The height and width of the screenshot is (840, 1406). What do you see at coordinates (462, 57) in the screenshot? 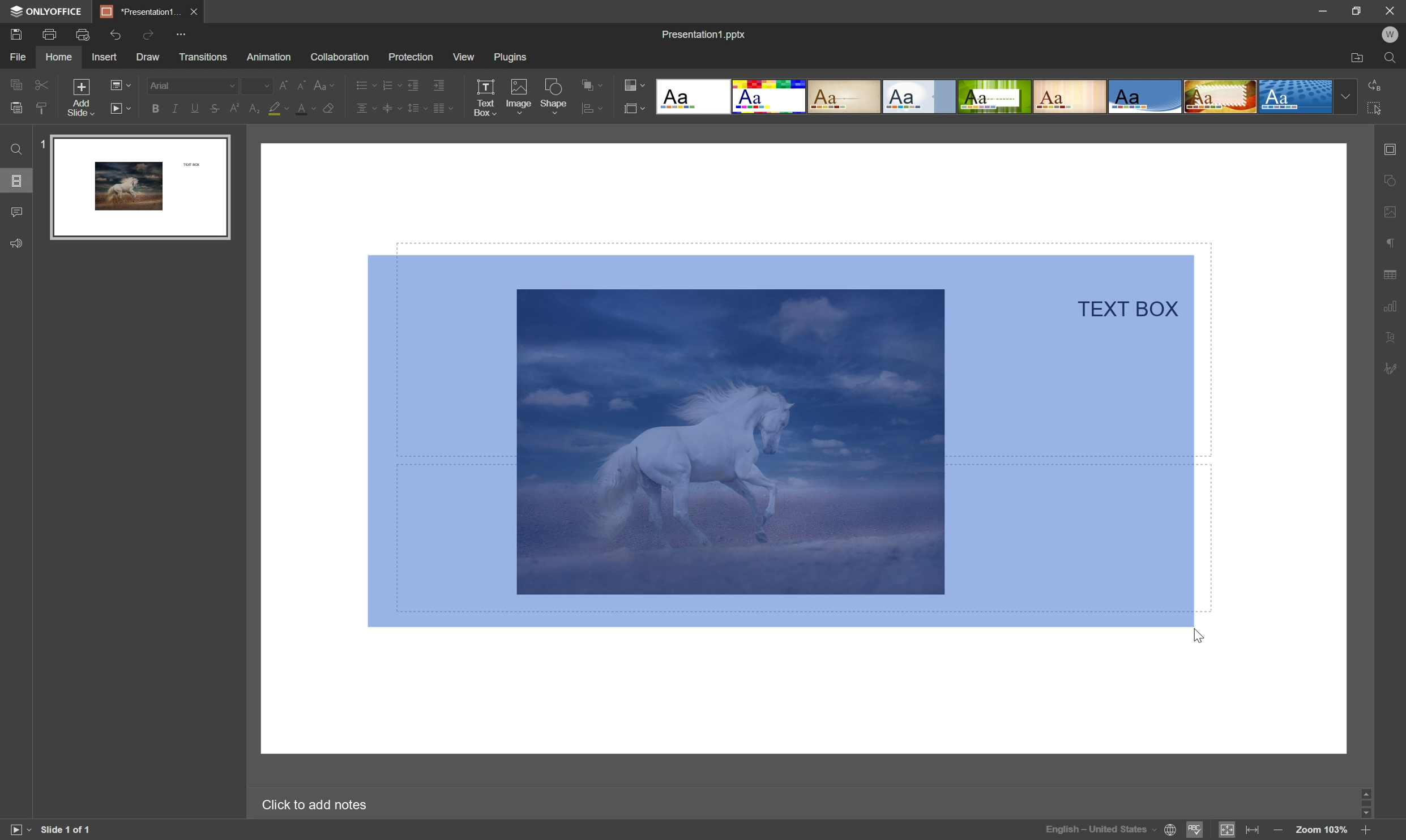
I see `view` at bounding box center [462, 57].